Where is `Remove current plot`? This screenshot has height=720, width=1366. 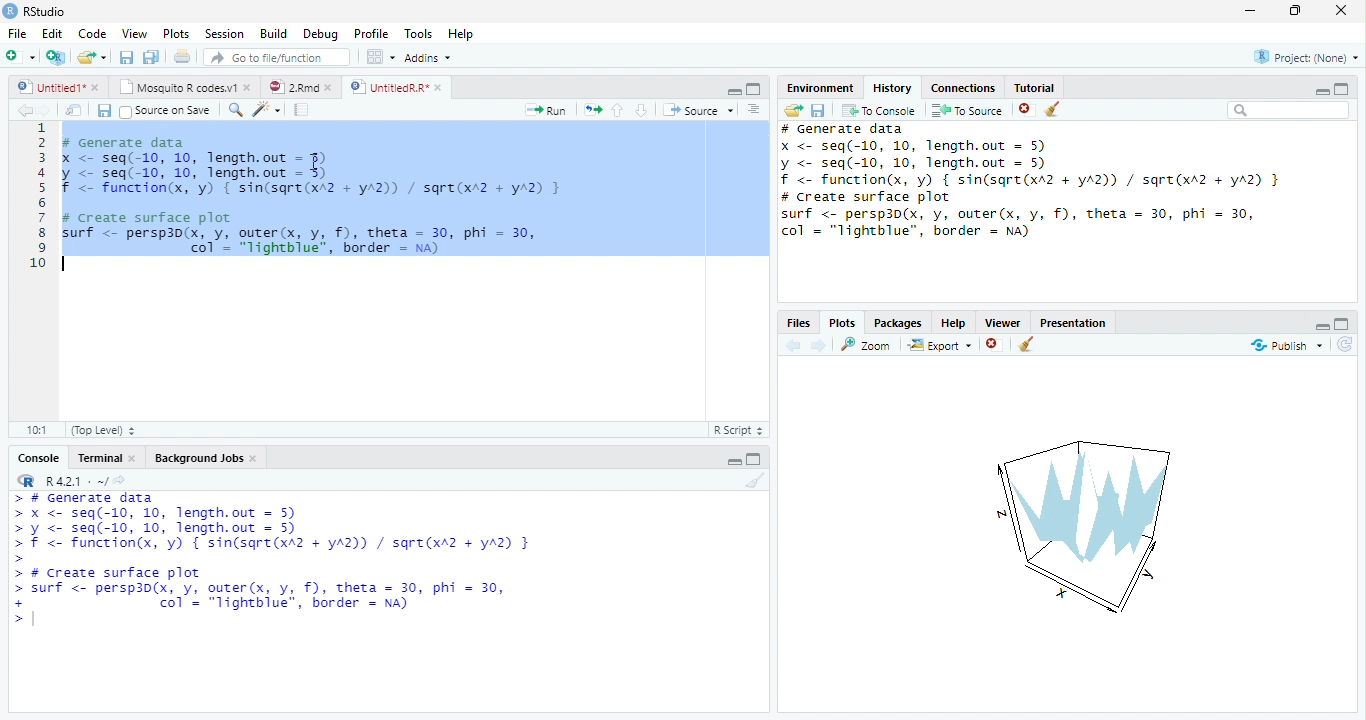 Remove current plot is located at coordinates (996, 344).